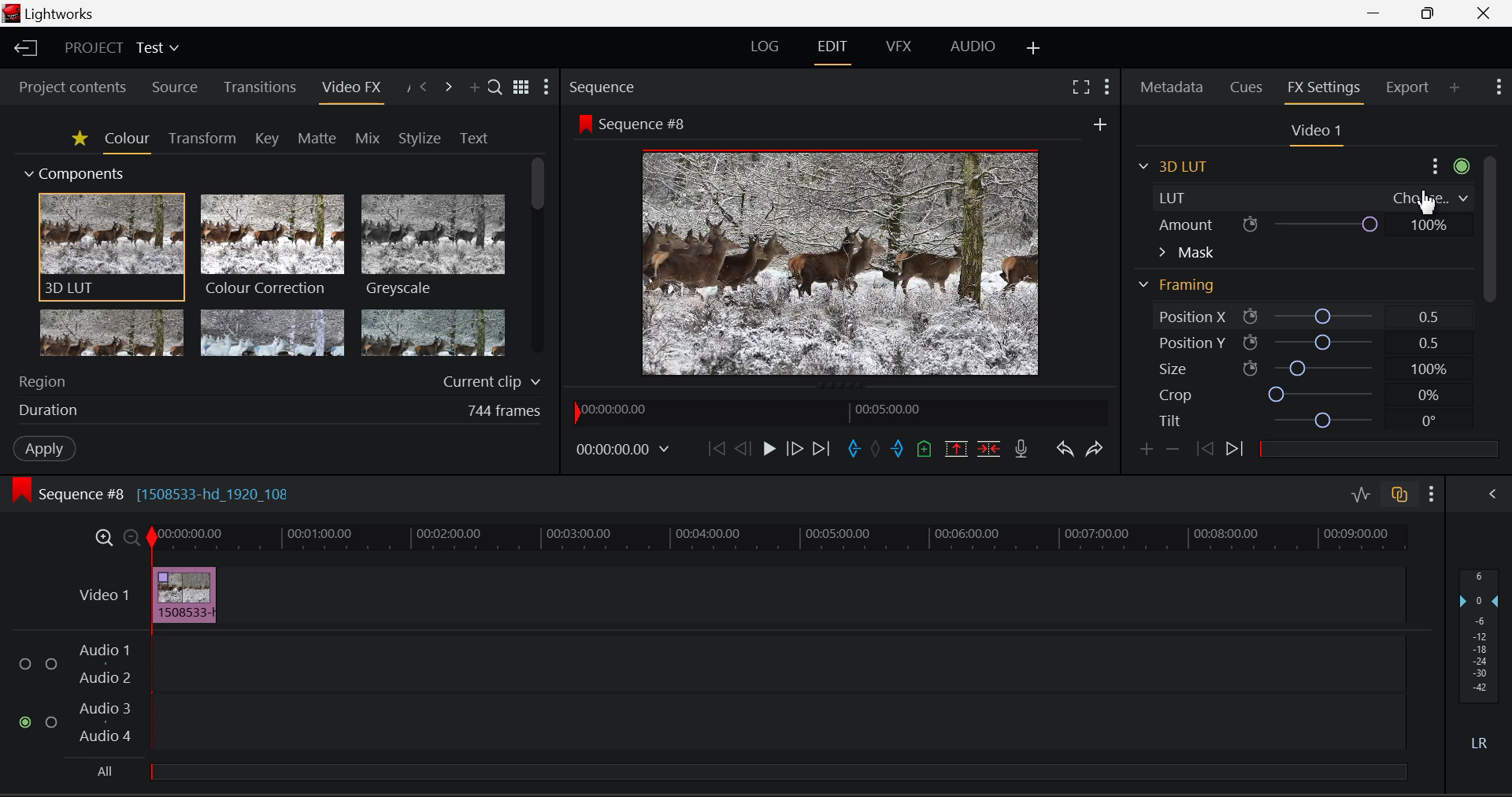 This screenshot has width=1512, height=797. Describe the element at coordinates (24, 664) in the screenshot. I see `Audio Input Checkbox` at that location.